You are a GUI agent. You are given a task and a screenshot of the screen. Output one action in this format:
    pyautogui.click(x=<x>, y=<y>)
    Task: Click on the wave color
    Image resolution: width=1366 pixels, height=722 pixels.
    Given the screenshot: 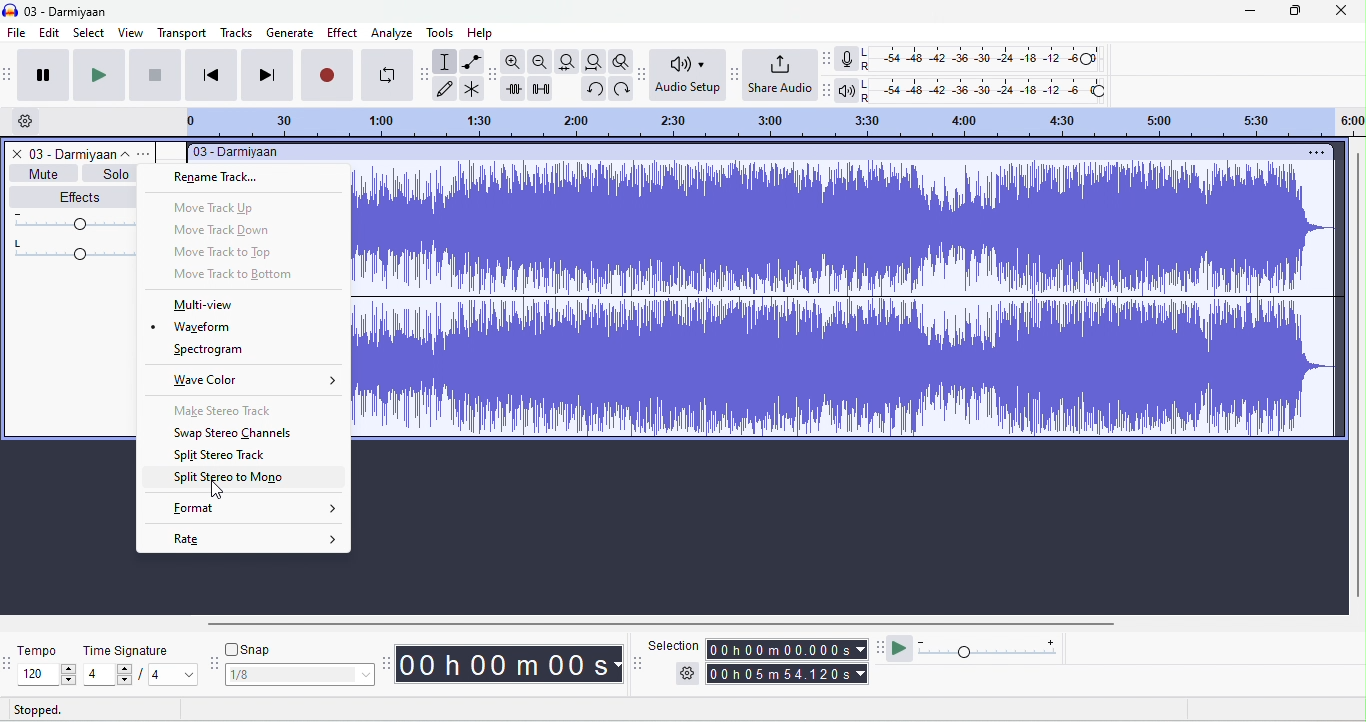 What is the action you would take?
    pyautogui.click(x=254, y=380)
    